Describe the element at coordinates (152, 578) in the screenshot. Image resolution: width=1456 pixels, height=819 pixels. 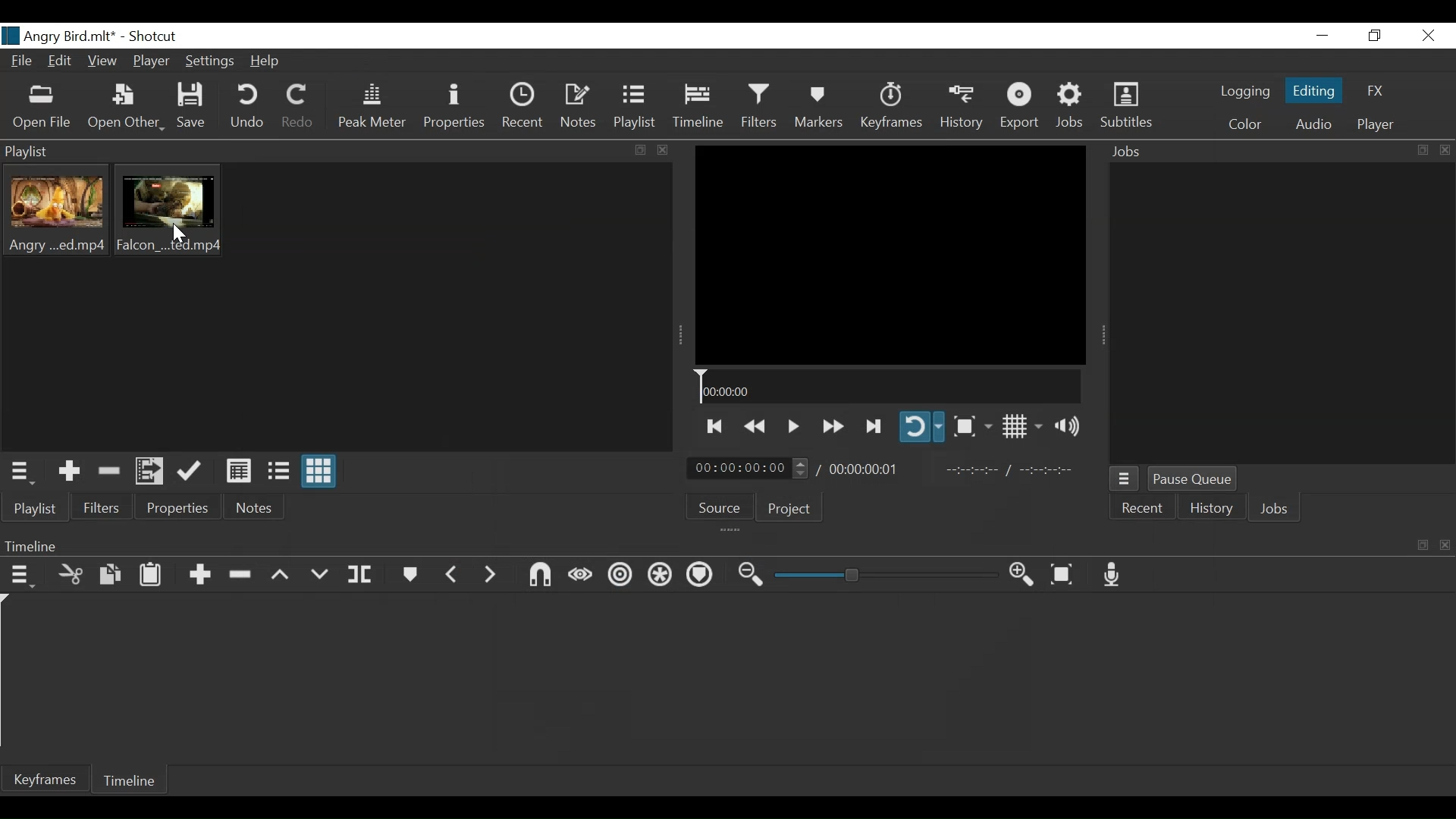
I see `Paste` at that location.